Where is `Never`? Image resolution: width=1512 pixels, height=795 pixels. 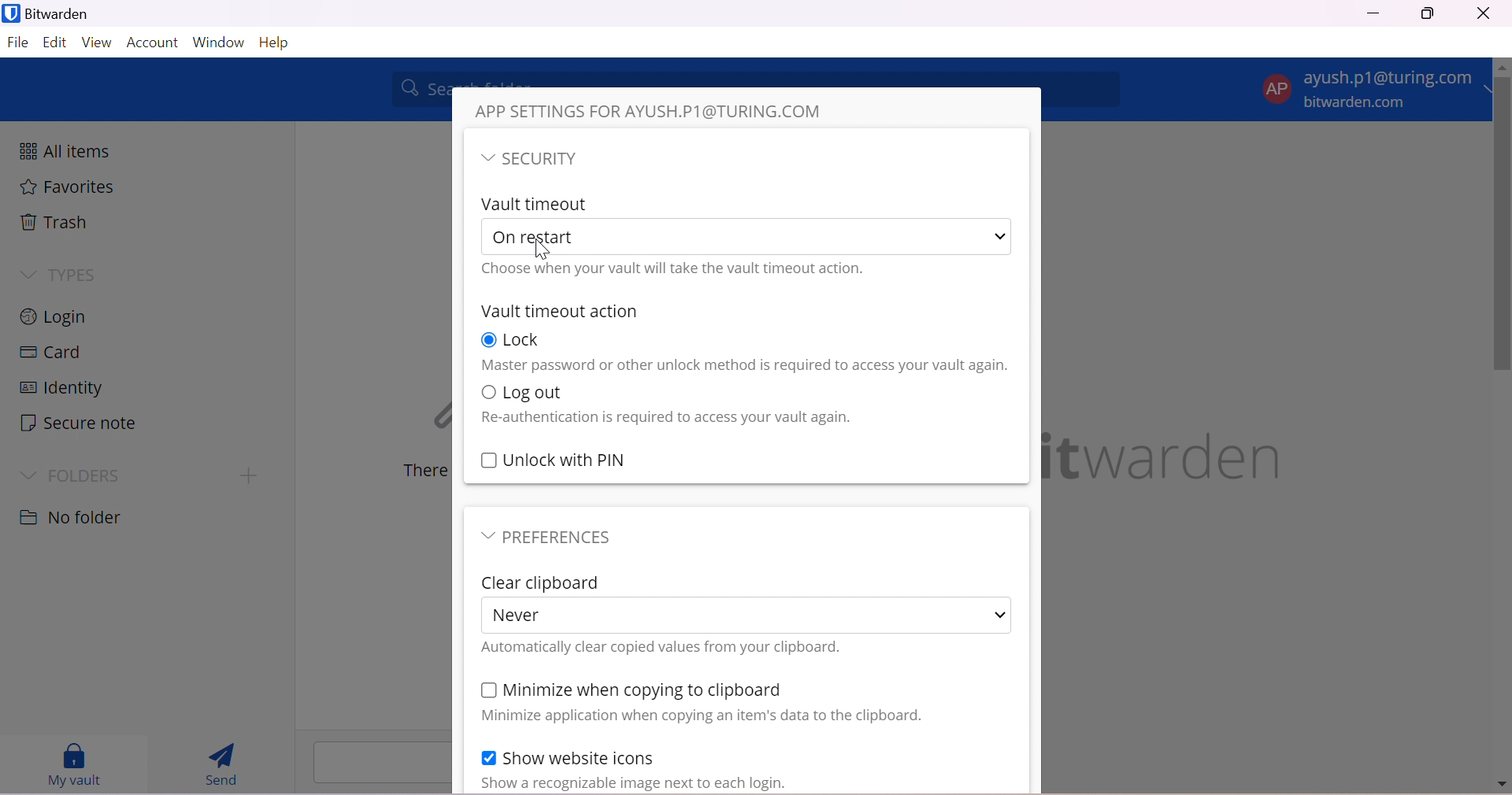
Never is located at coordinates (523, 615).